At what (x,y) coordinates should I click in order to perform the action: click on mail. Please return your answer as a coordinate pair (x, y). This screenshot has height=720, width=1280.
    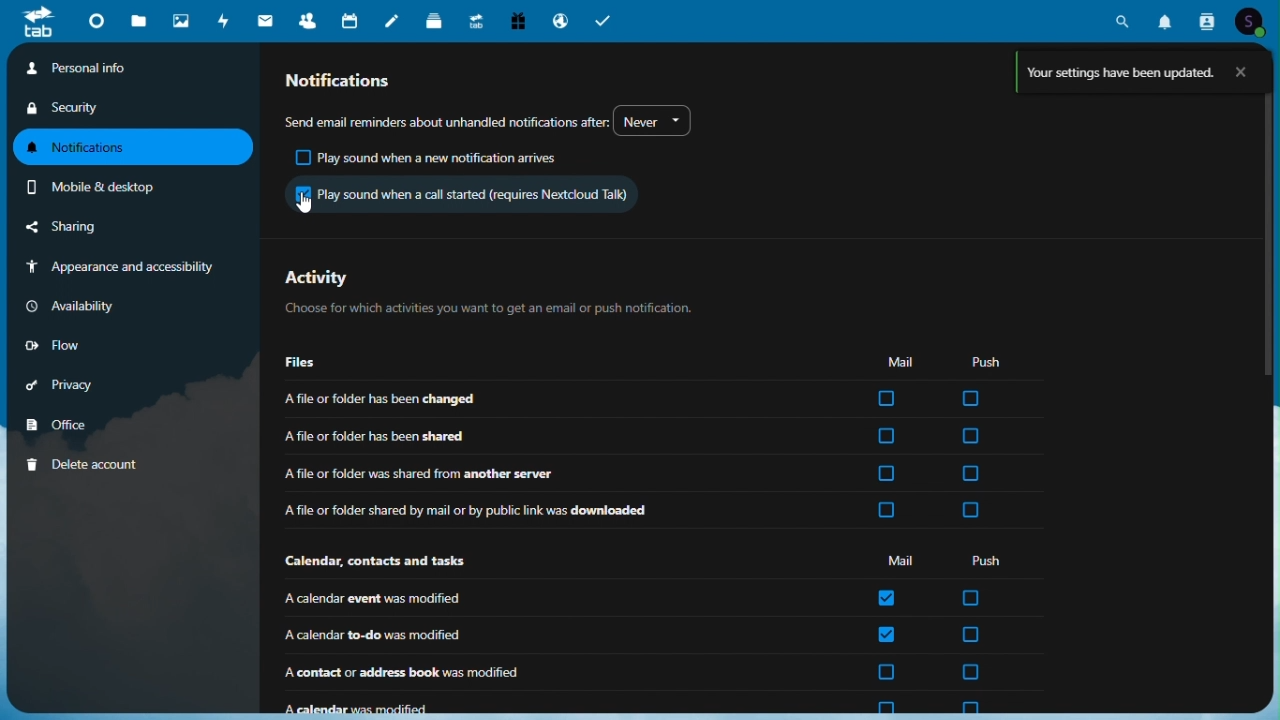
    Looking at the image, I should click on (266, 20).